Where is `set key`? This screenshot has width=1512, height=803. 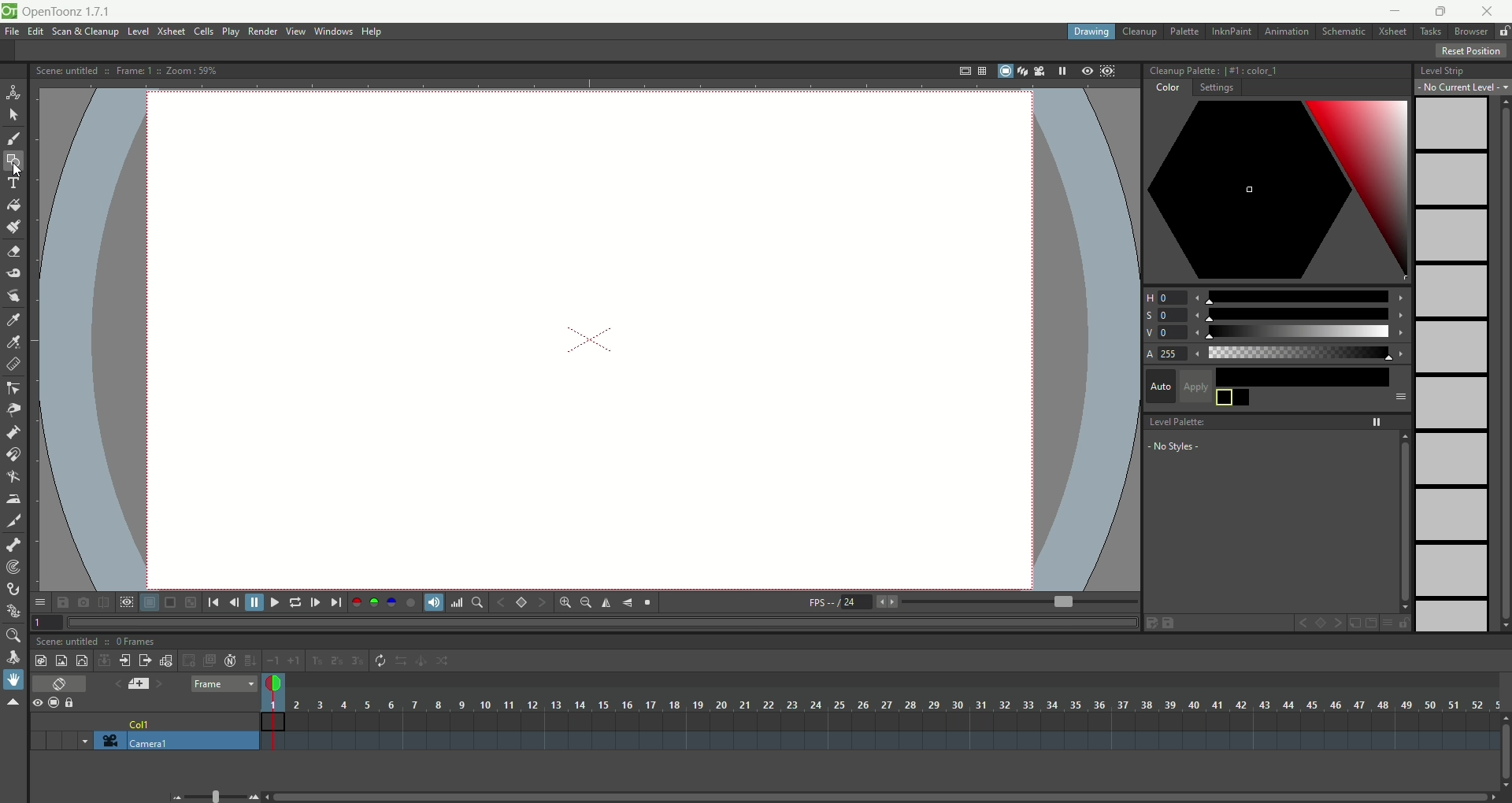
set key is located at coordinates (521, 601).